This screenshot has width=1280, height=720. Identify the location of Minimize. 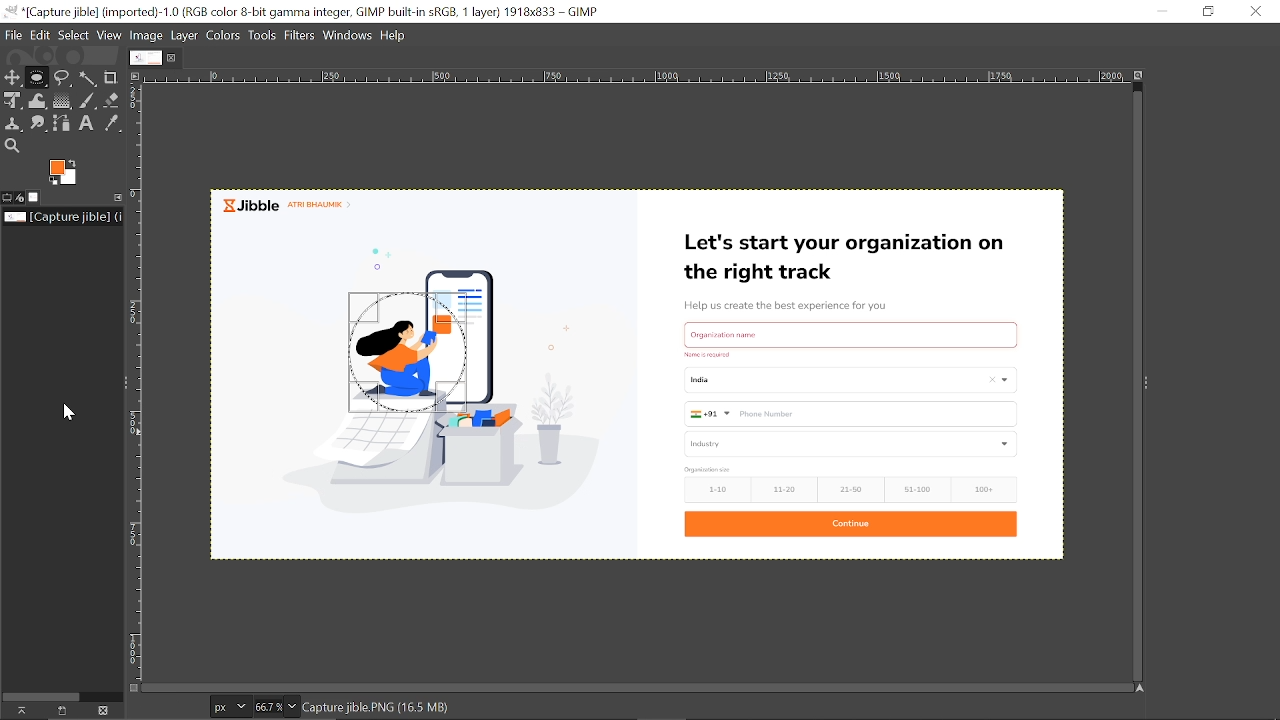
(1166, 11).